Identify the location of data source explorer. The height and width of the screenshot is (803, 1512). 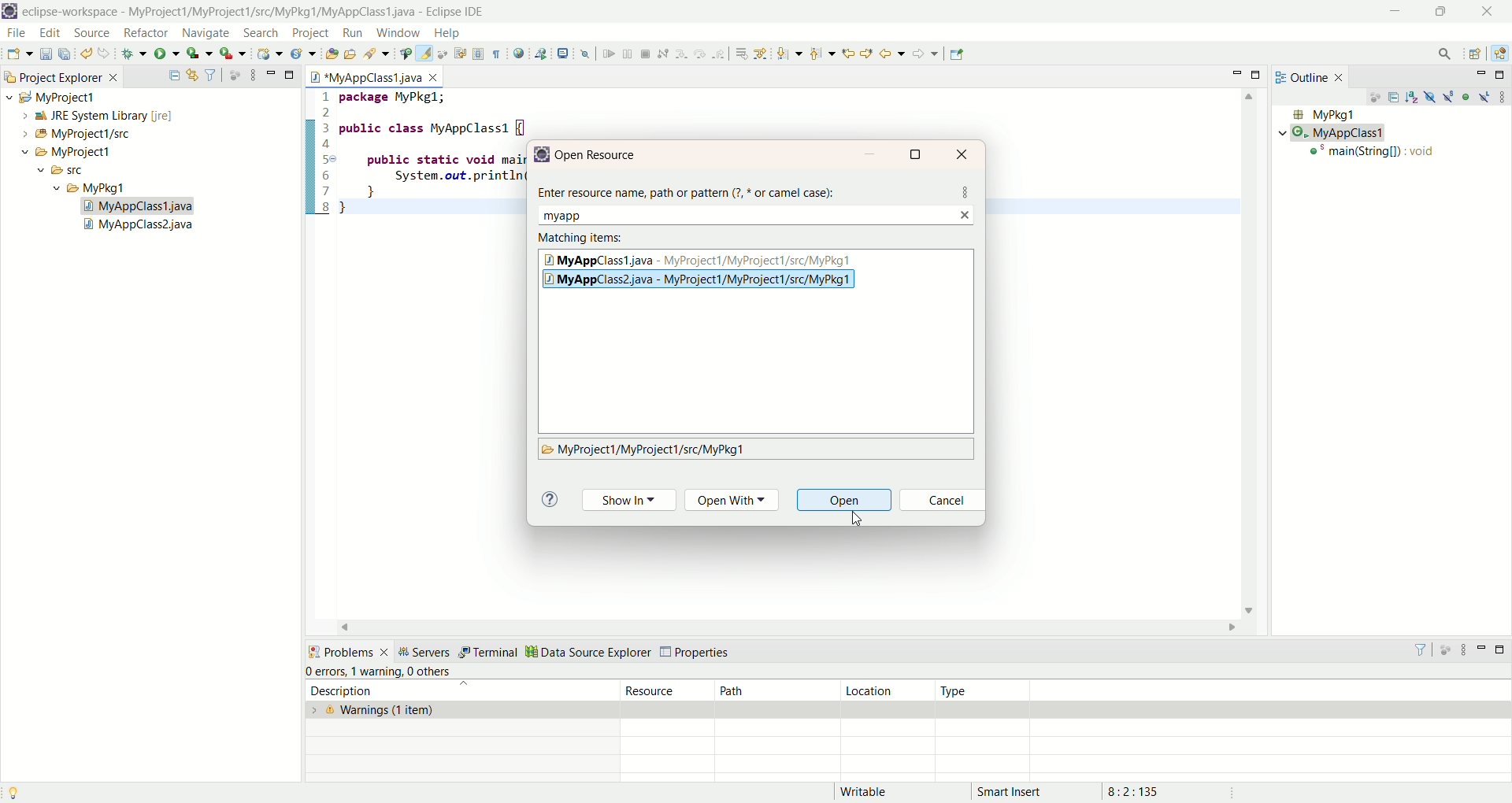
(587, 650).